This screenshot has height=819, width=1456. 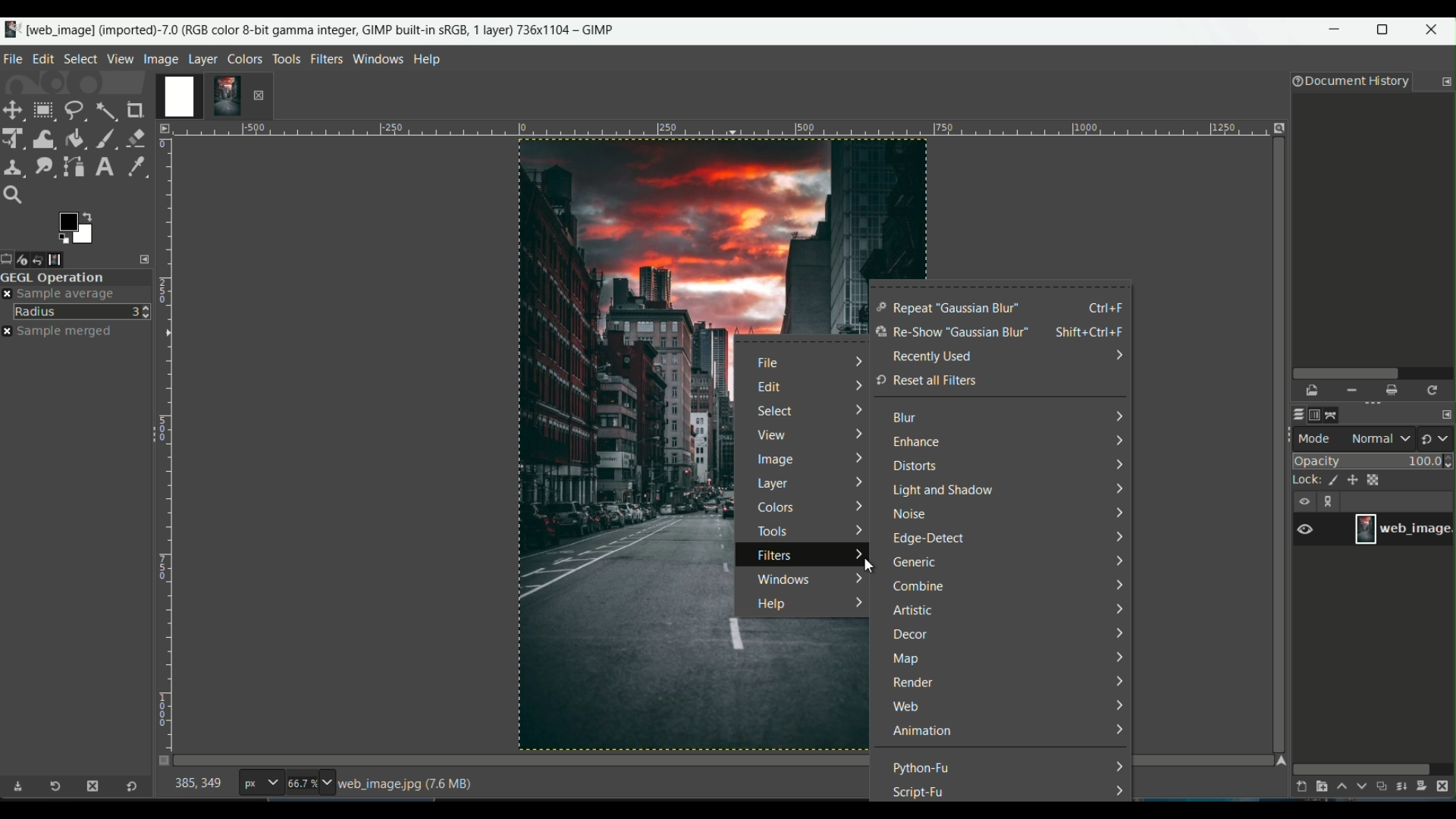 I want to click on decor, so click(x=910, y=635).